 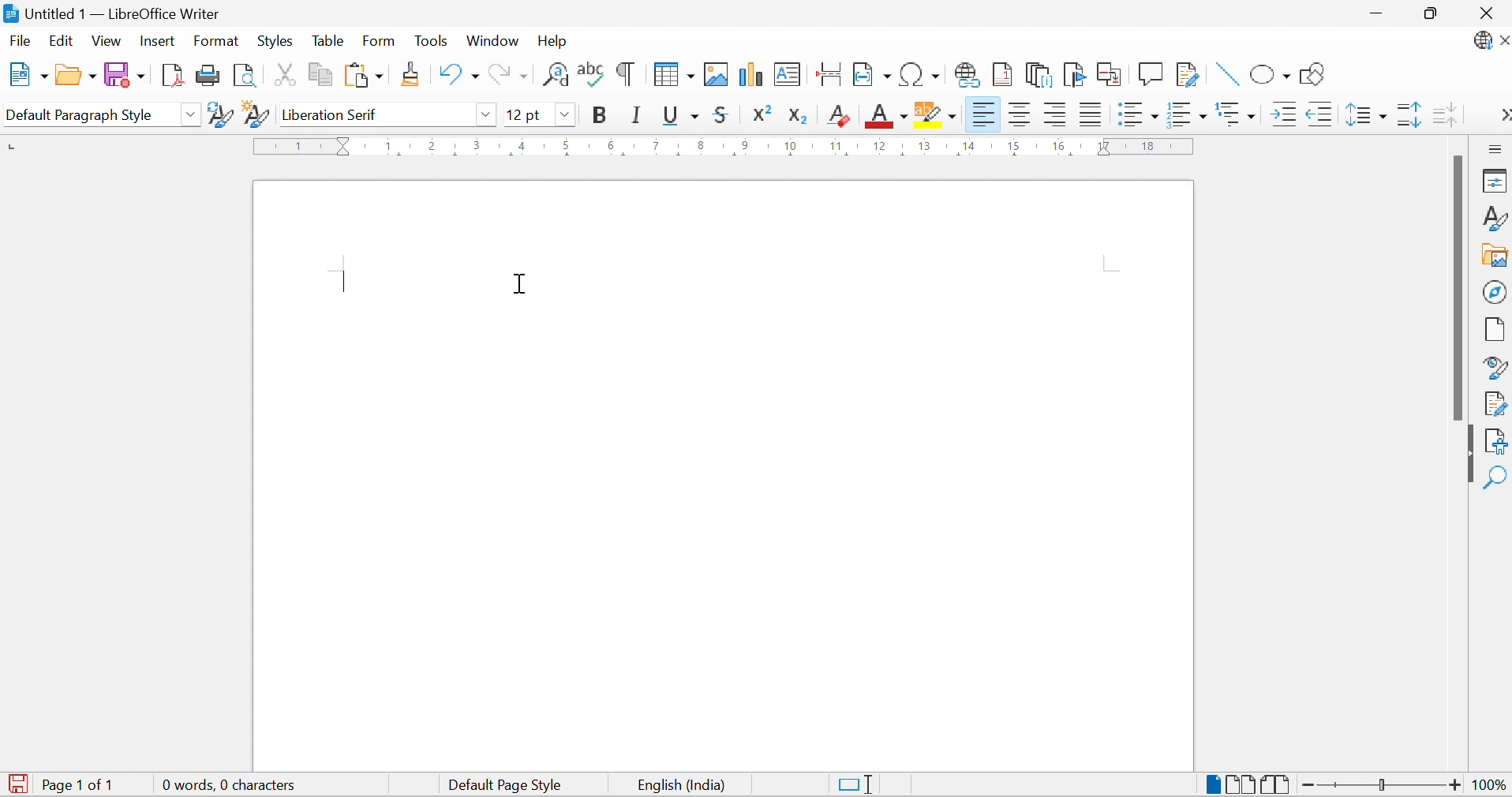 I want to click on 17, so click(x=1105, y=146).